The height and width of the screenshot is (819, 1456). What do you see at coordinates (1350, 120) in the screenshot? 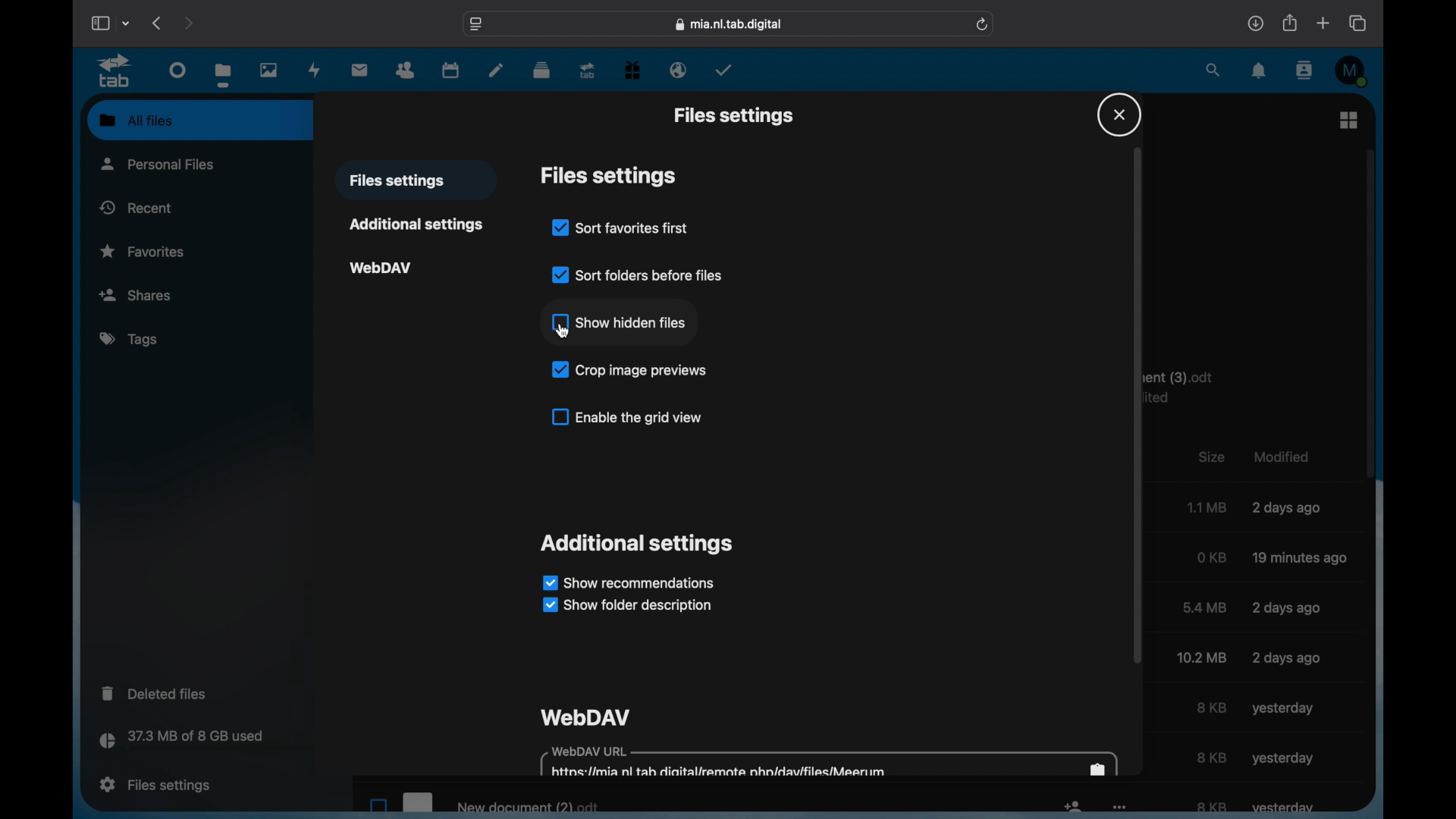
I see `grid view` at bounding box center [1350, 120].